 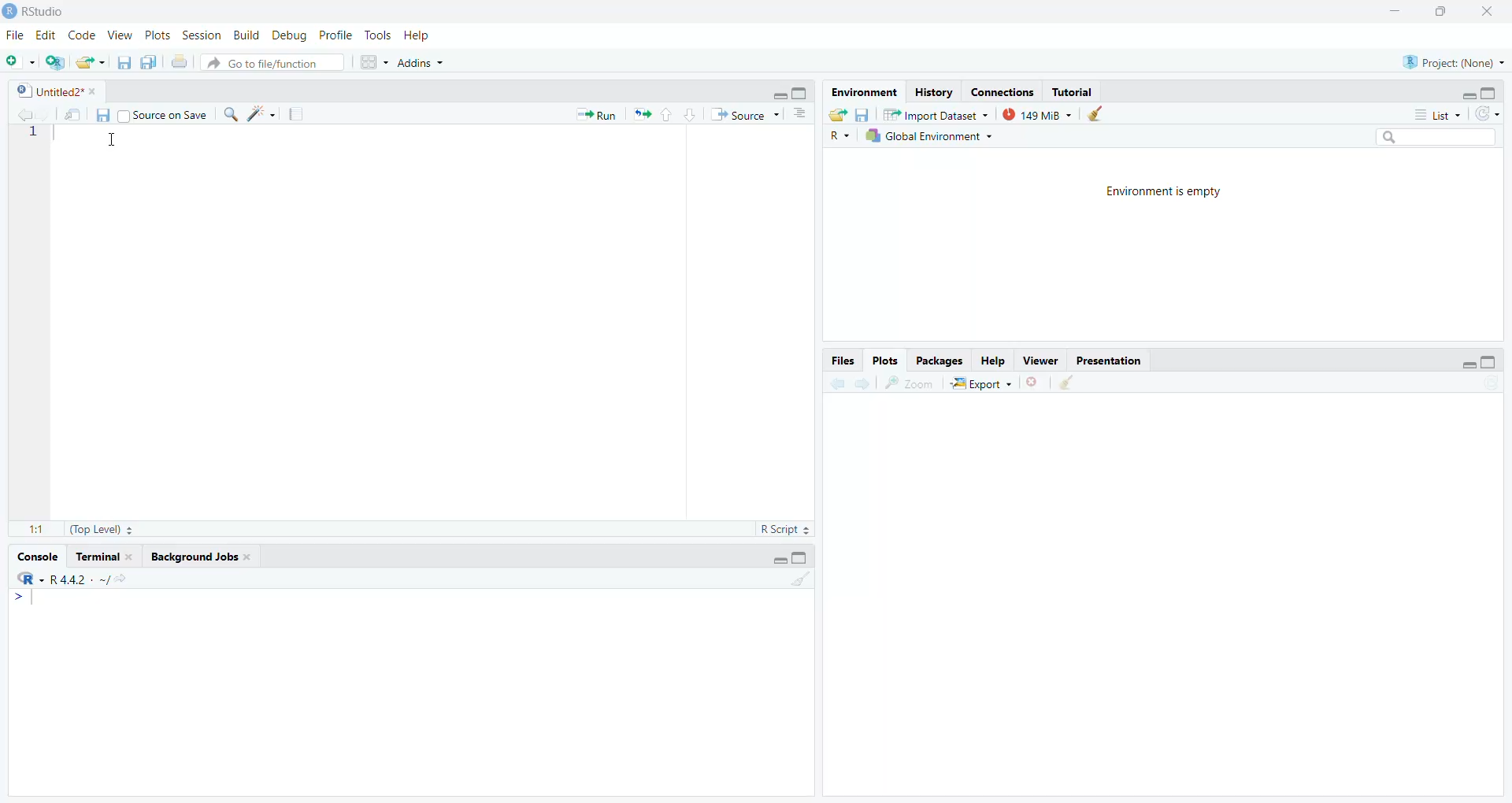 I want to click on Search bar, so click(x=1439, y=136).